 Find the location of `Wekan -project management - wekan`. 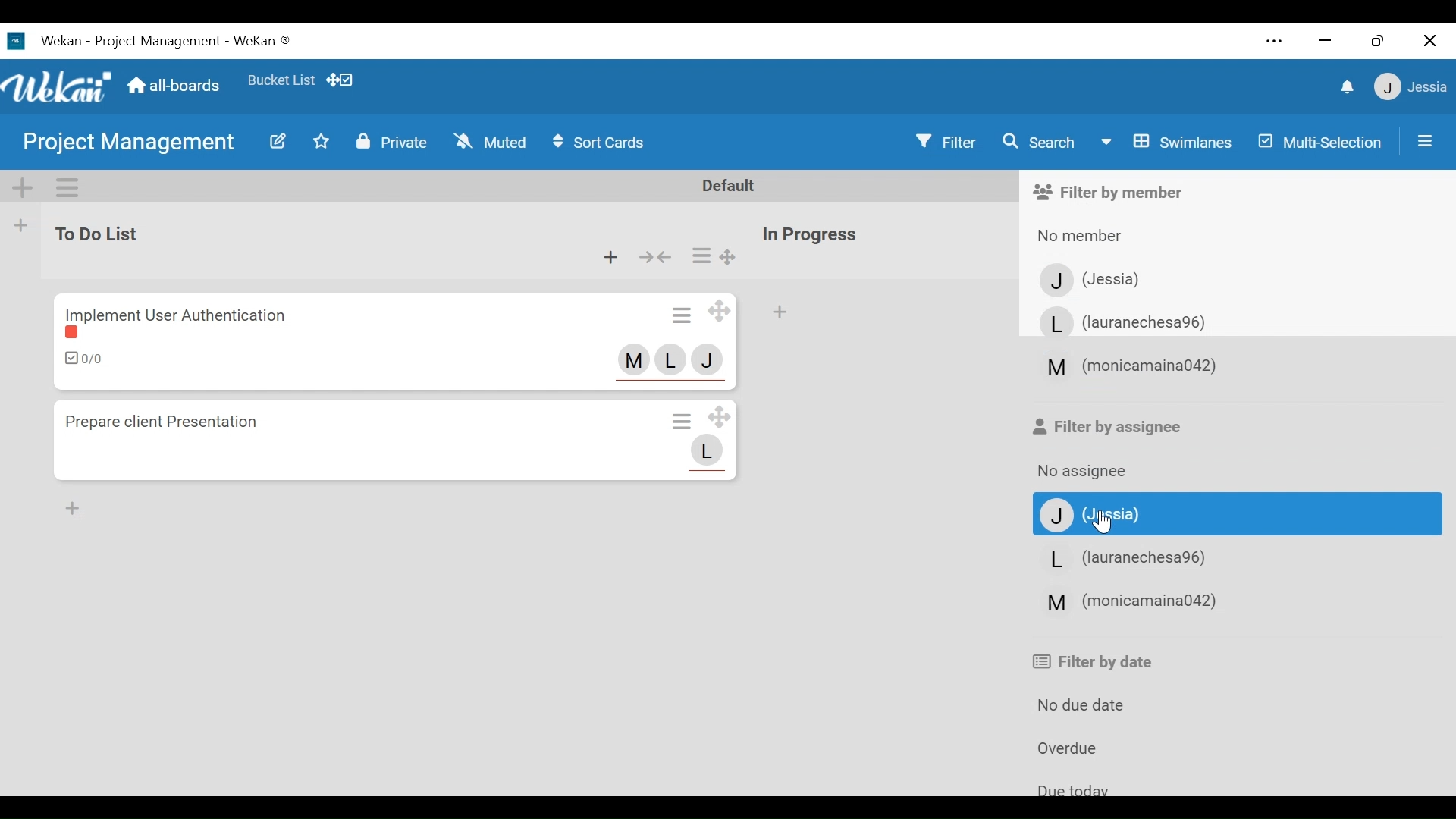

Wekan -project management - wekan is located at coordinates (181, 41).